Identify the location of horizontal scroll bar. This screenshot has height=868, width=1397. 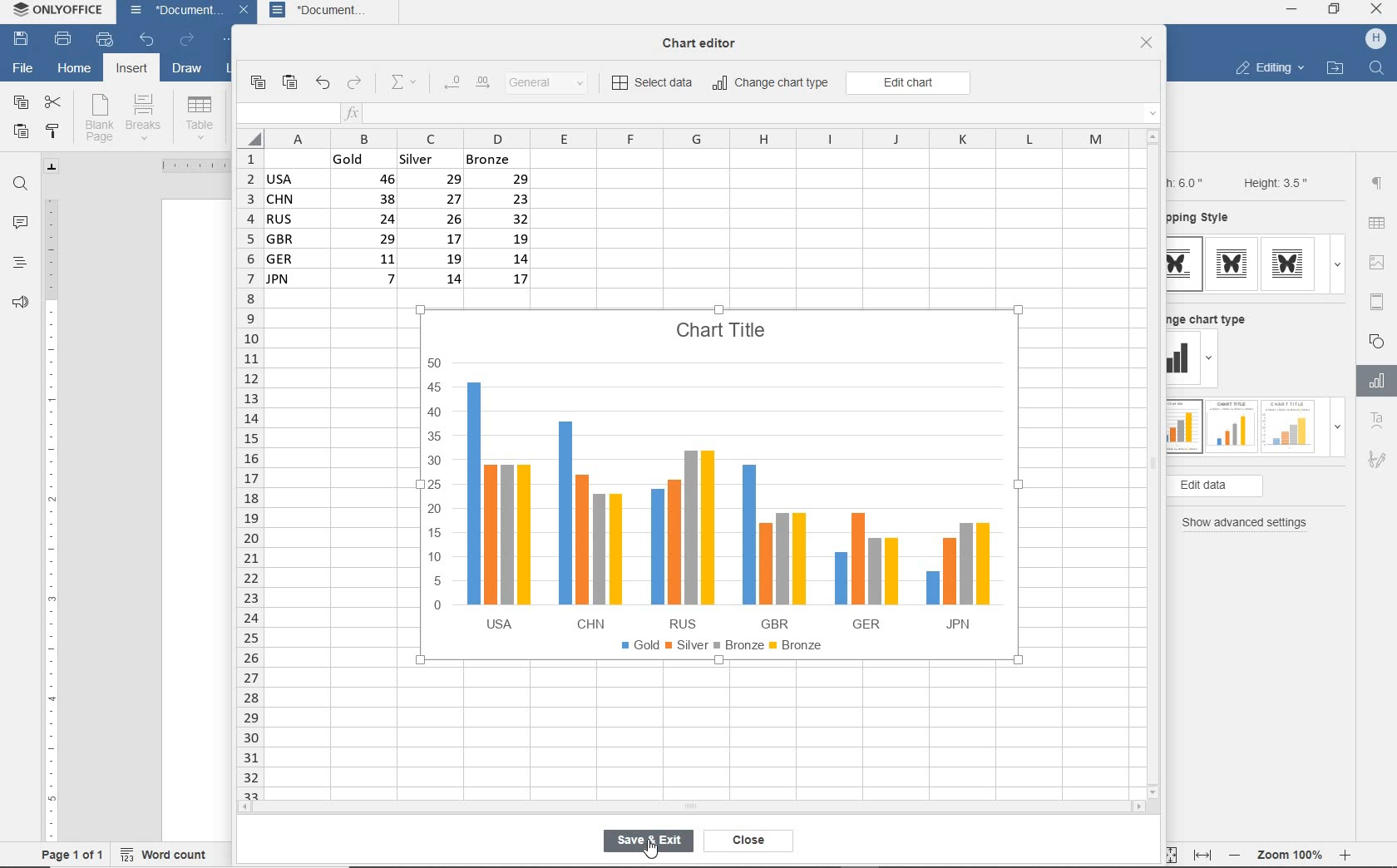
(690, 806).